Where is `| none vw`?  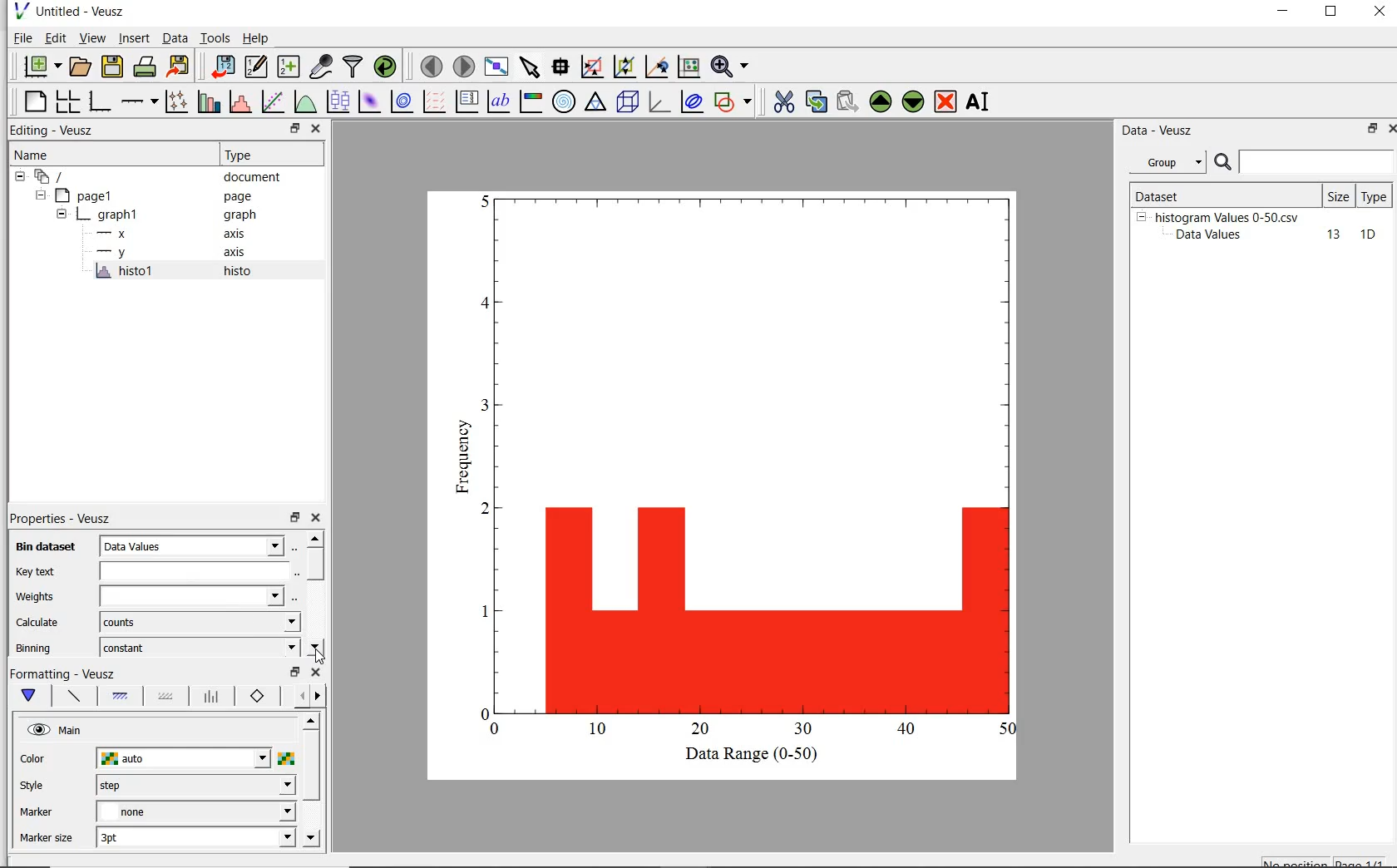 | none vw is located at coordinates (195, 811).